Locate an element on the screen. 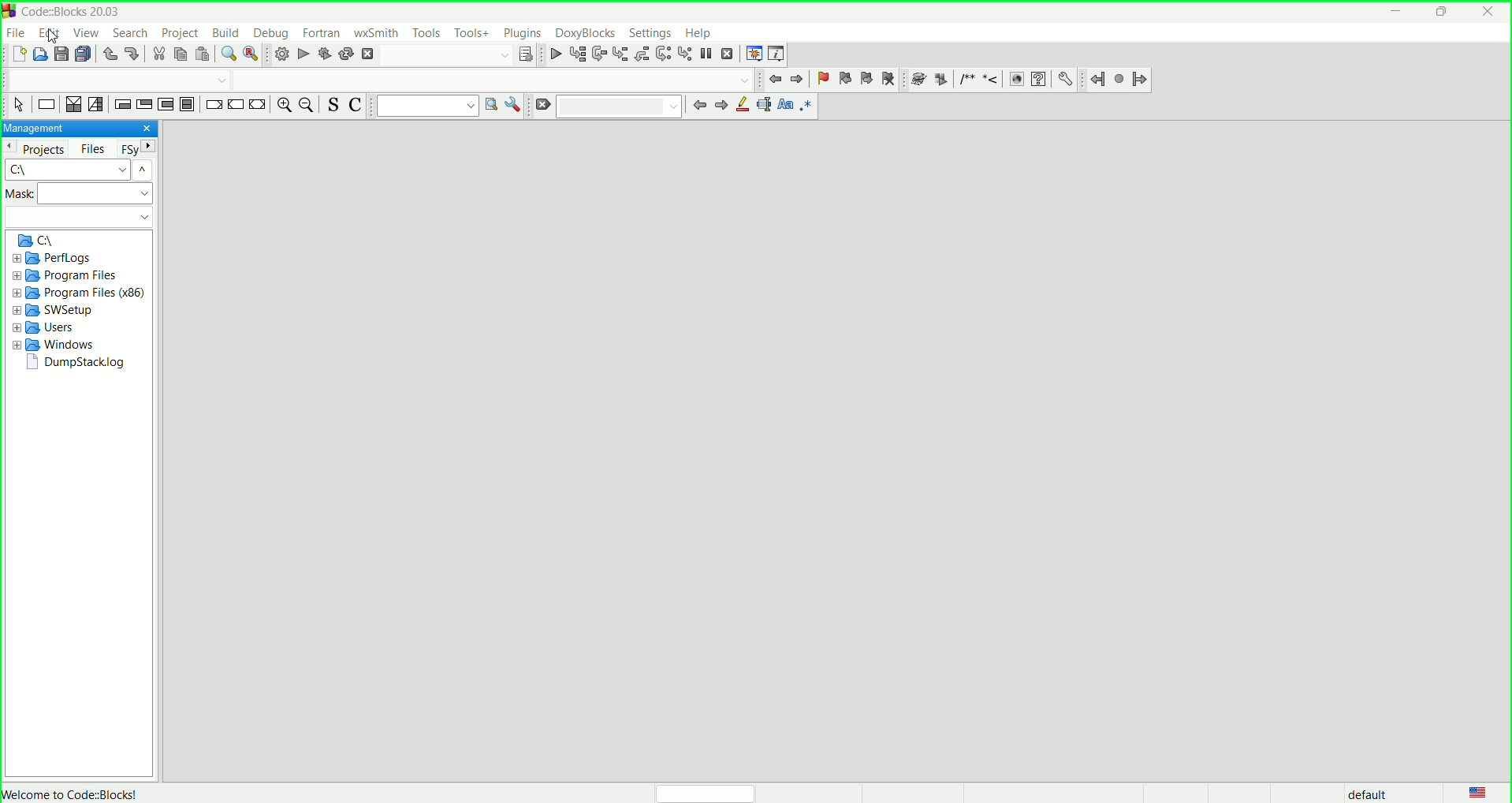 The height and width of the screenshot is (803, 1512). HTML is located at coordinates (1014, 80).